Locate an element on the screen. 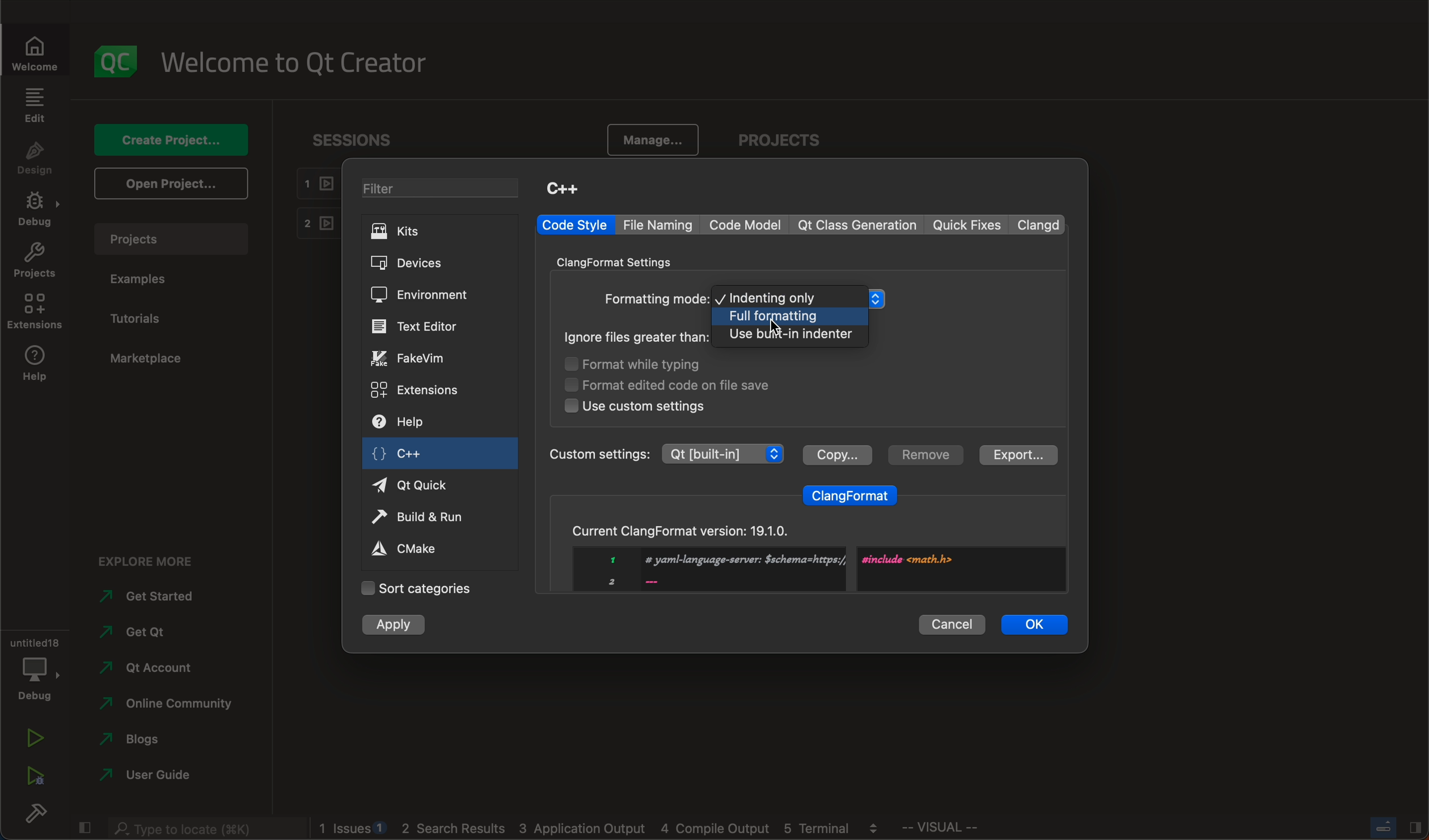 The image size is (1429, 840). debug is located at coordinates (33, 667).